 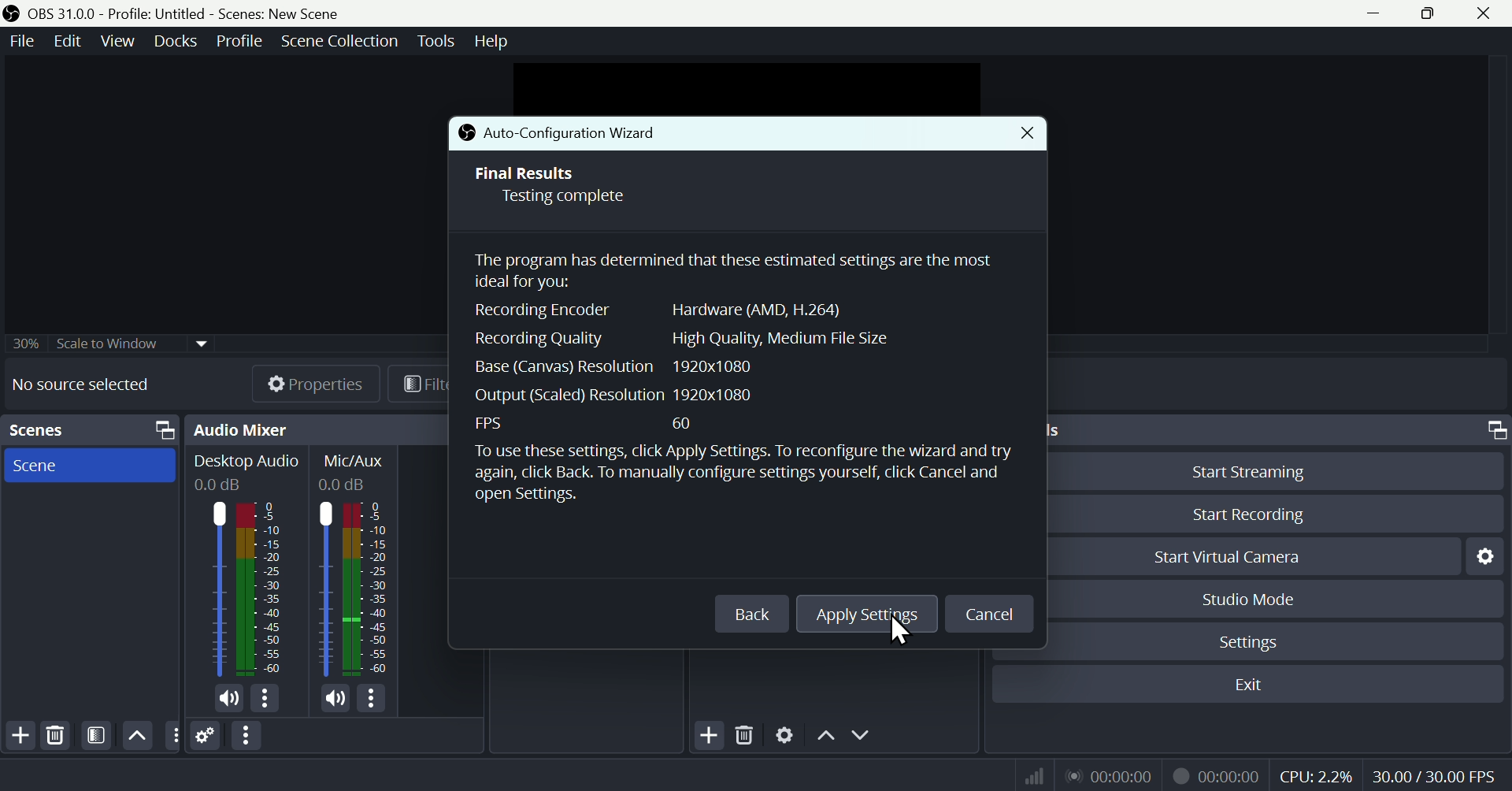 What do you see at coordinates (465, 135) in the screenshot?
I see `icon` at bounding box center [465, 135].